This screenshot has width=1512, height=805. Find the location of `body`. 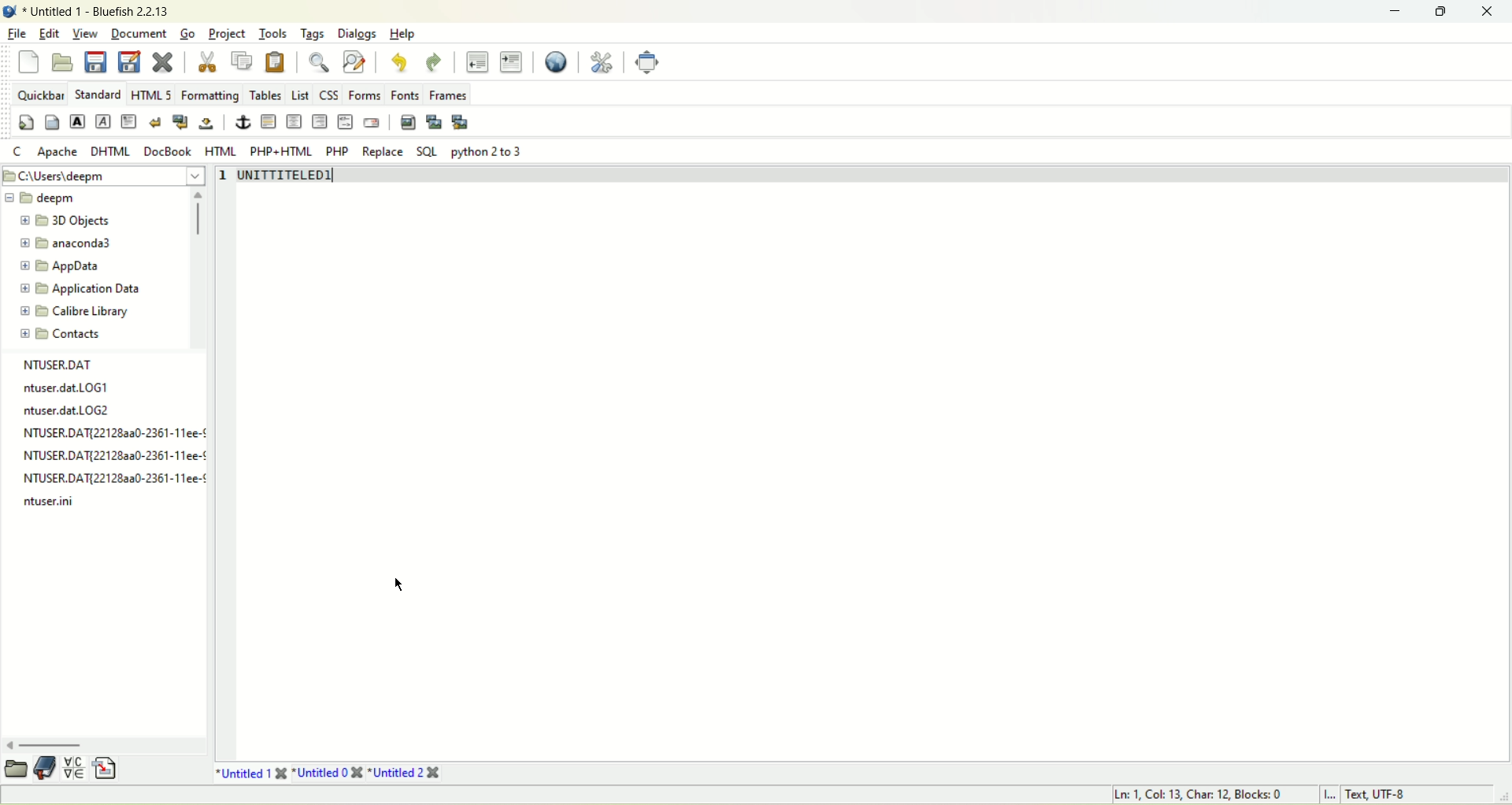

body is located at coordinates (51, 122).